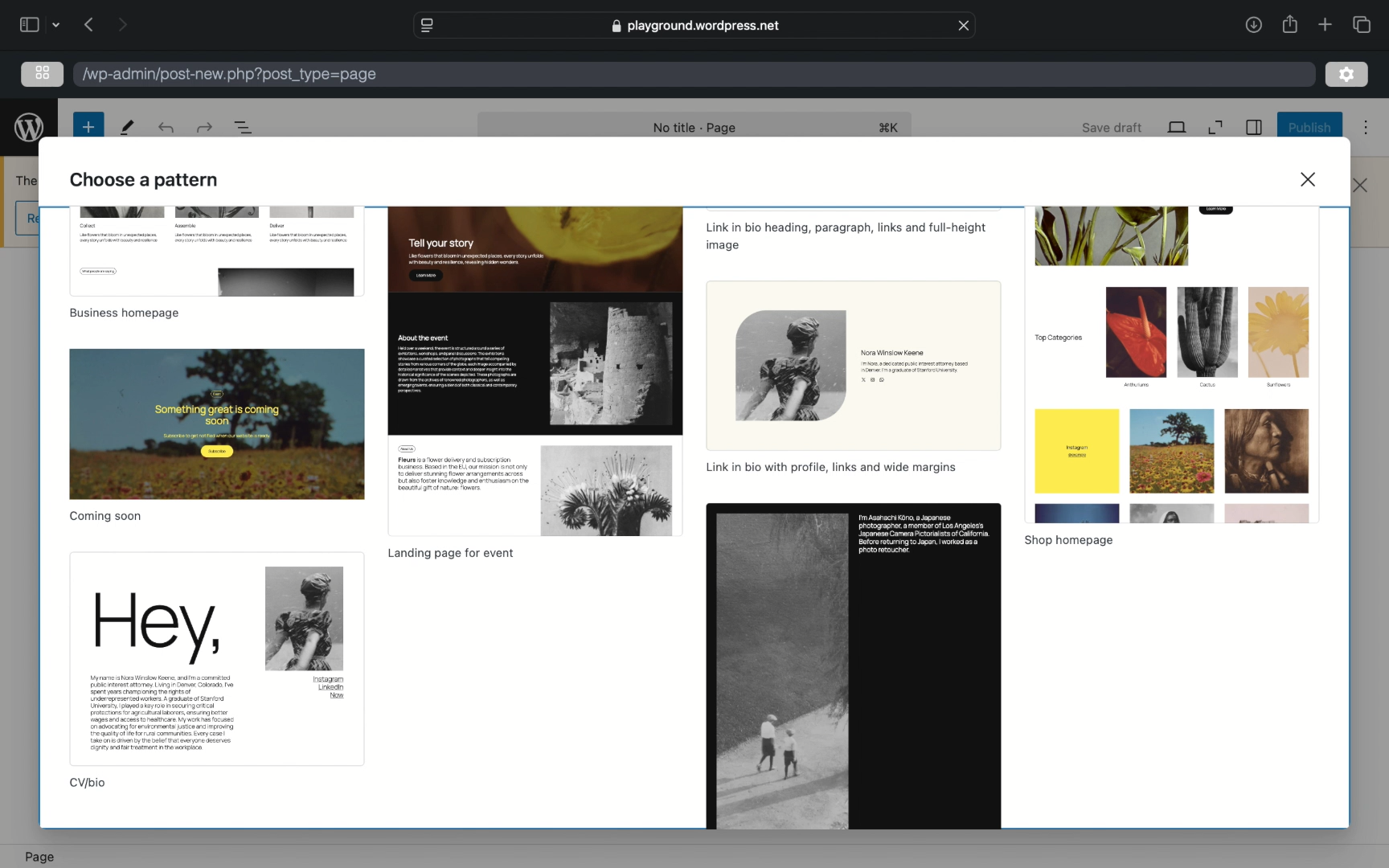  I want to click on web address, so click(695, 26).